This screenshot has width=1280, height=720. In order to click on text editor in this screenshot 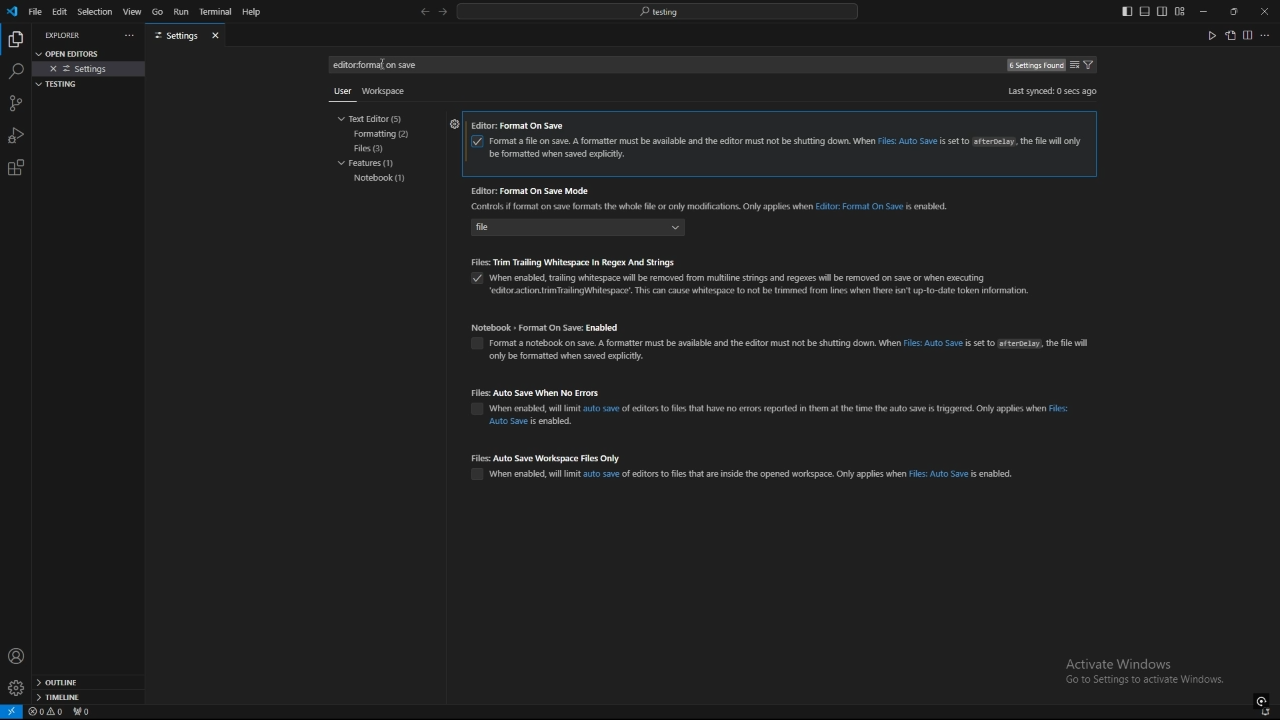, I will do `click(375, 118)`.